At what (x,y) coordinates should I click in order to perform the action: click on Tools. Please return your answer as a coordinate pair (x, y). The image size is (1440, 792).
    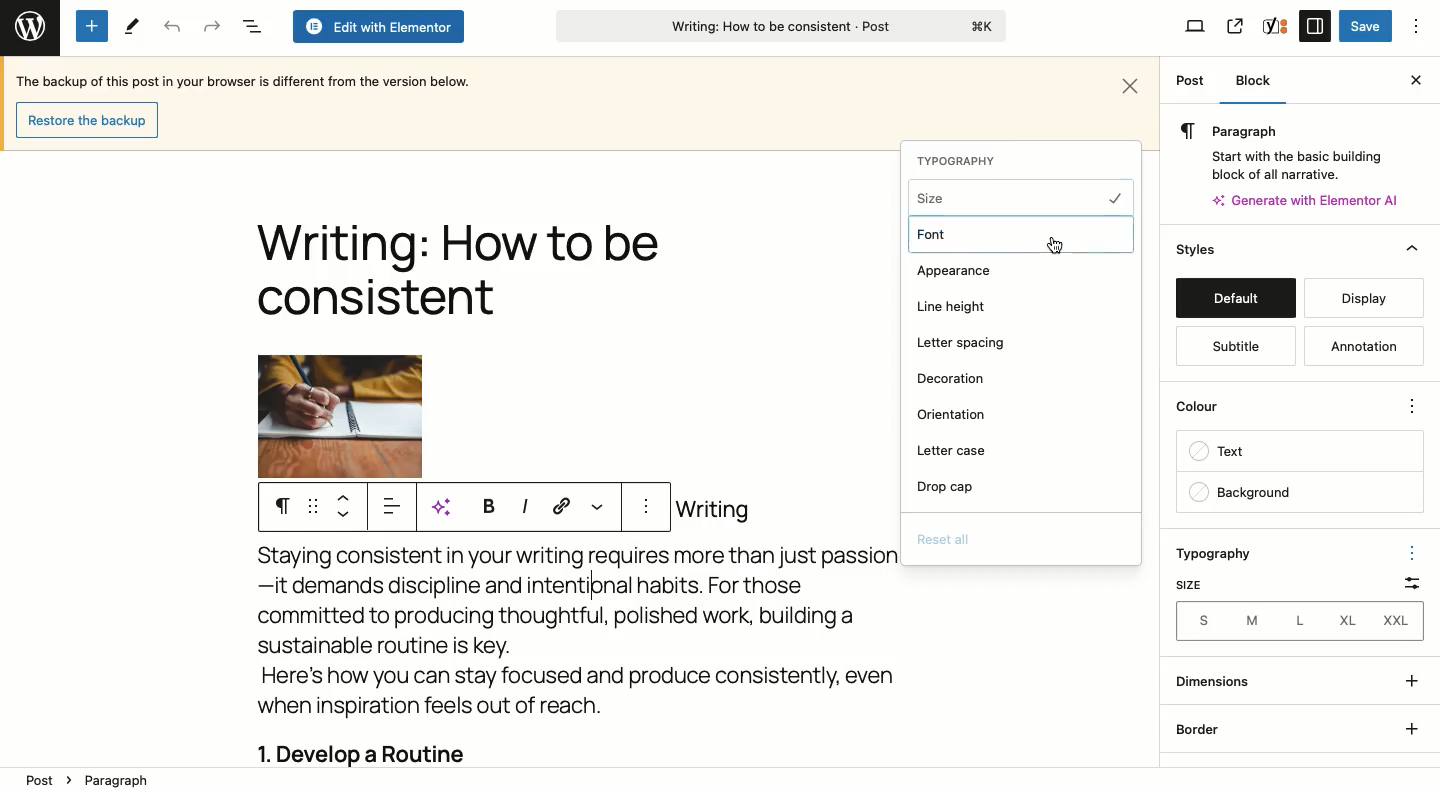
    Looking at the image, I should click on (130, 27).